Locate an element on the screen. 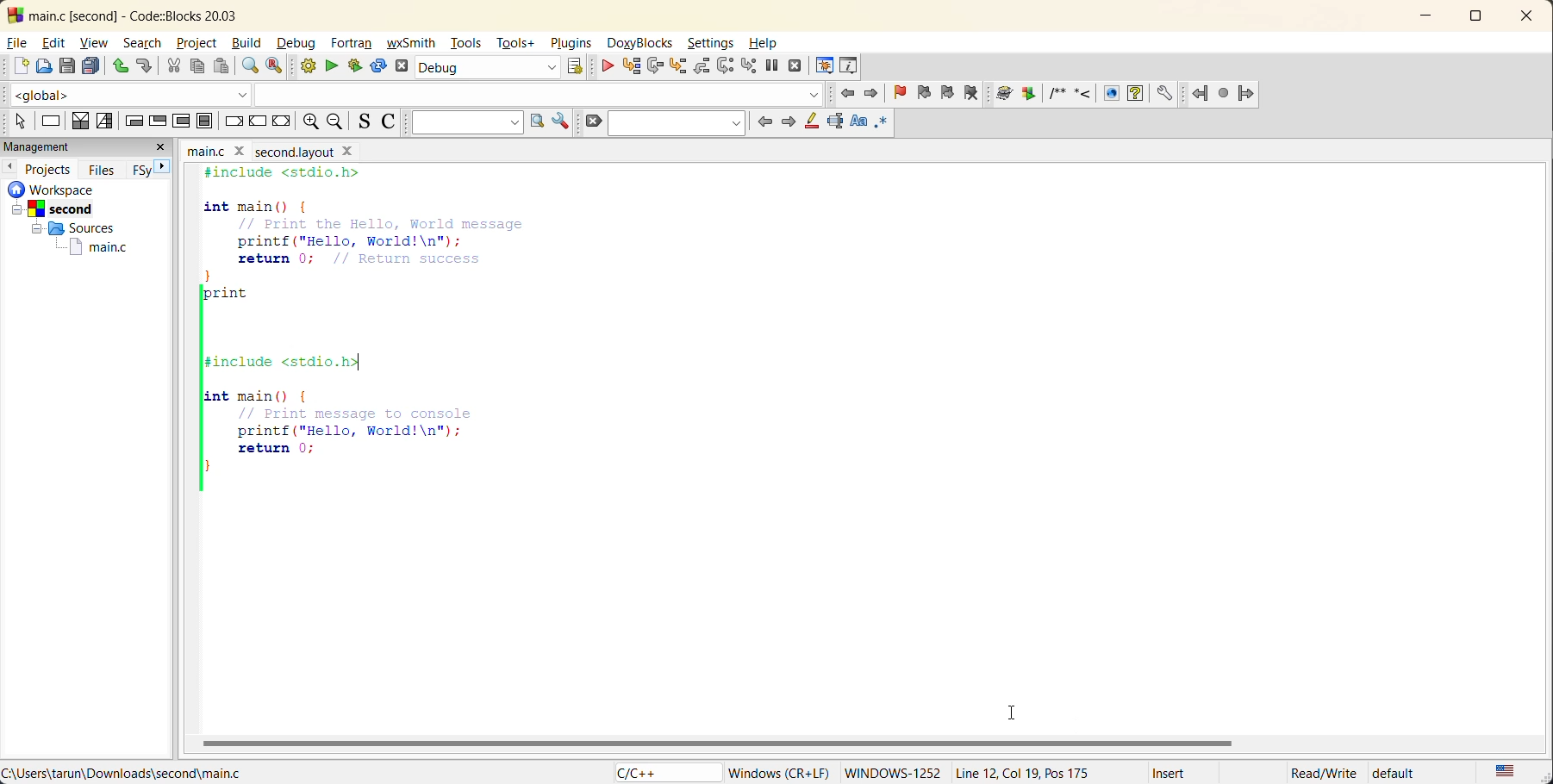  clear bookmark is located at coordinates (973, 92).